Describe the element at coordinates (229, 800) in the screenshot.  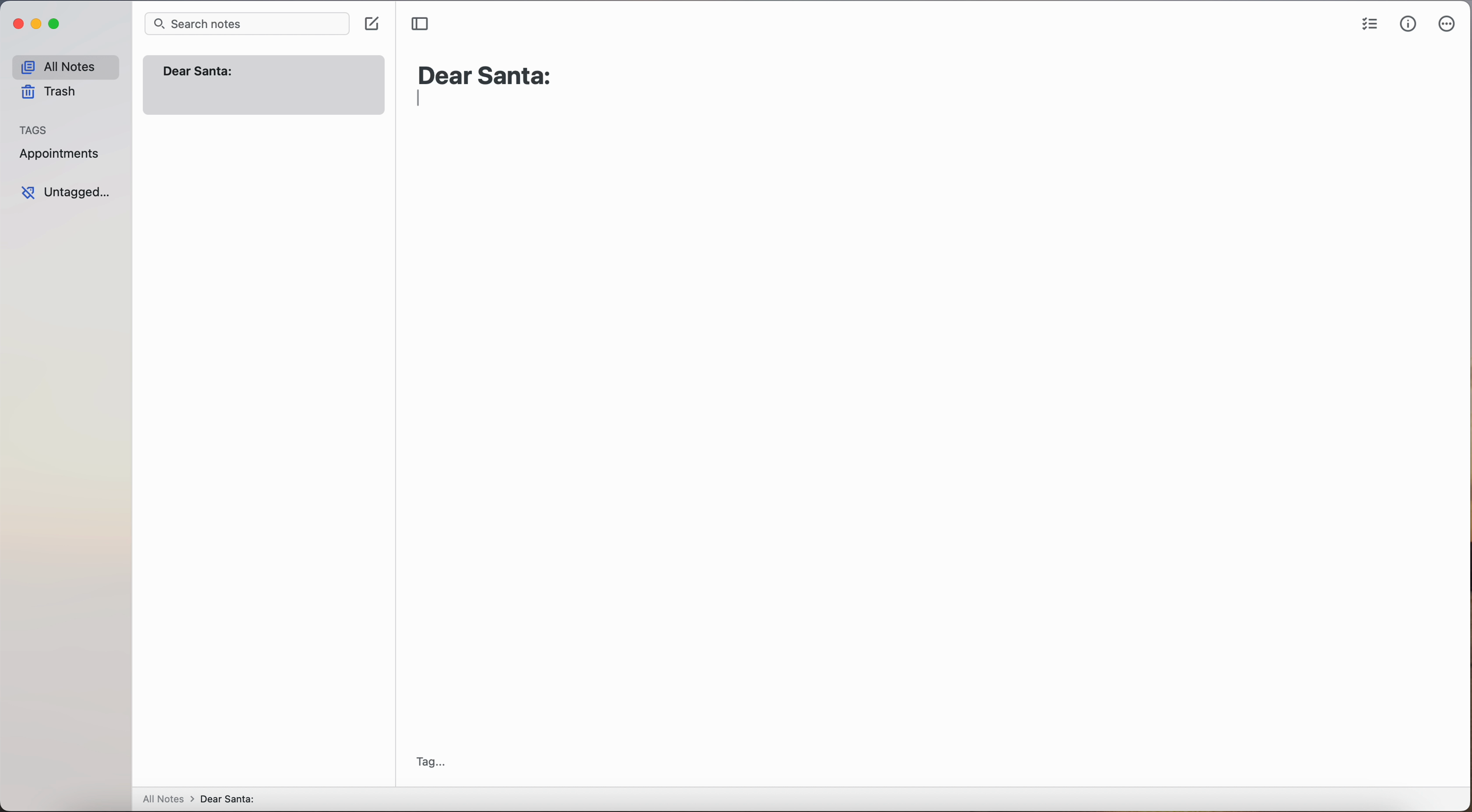
I see `Dear santa` at that location.